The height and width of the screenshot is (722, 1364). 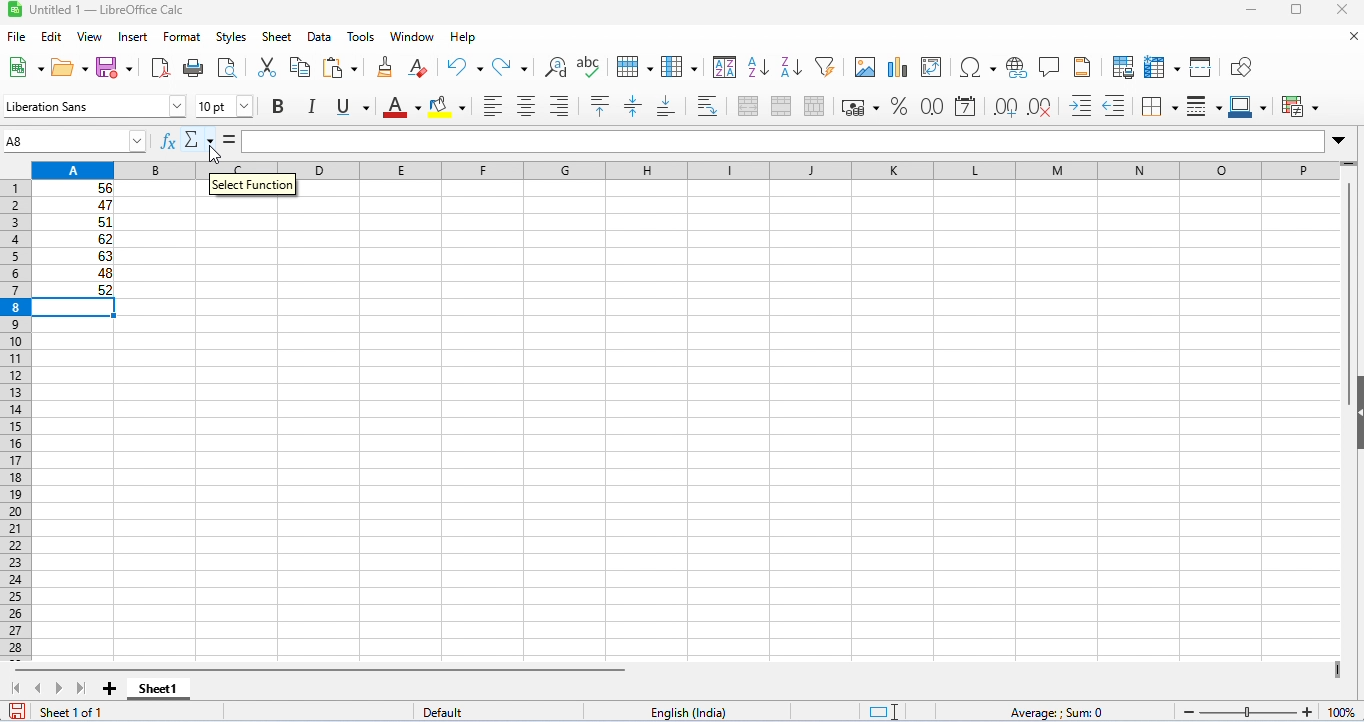 What do you see at coordinates (20, 688) in the screenshot?
I see `first sheet` at bounding box center [20, 688].